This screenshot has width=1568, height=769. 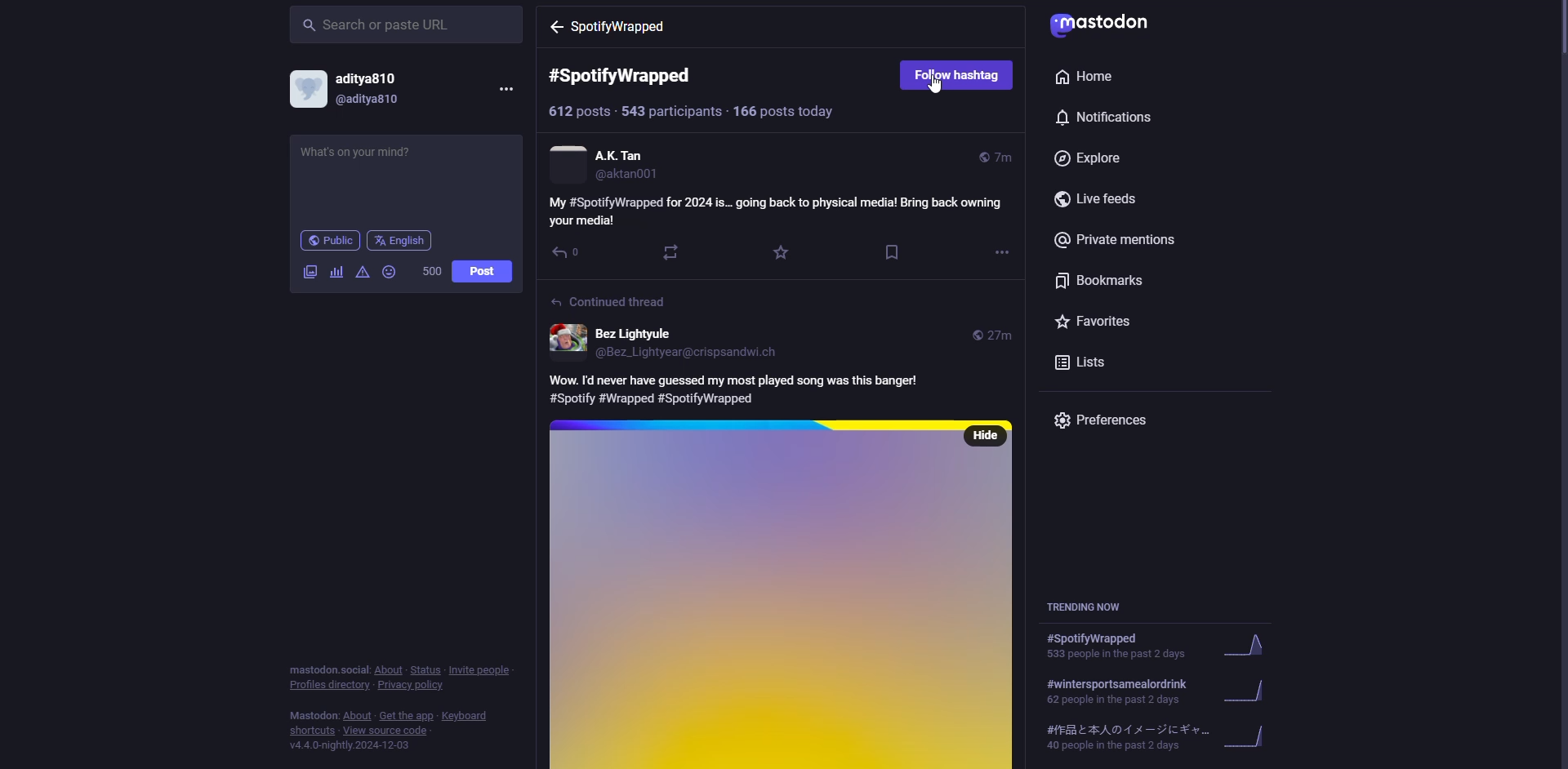 What do you see at coordinates (336, 272) in the screenshot?
I see `poll` at bounding box center [336, 272].